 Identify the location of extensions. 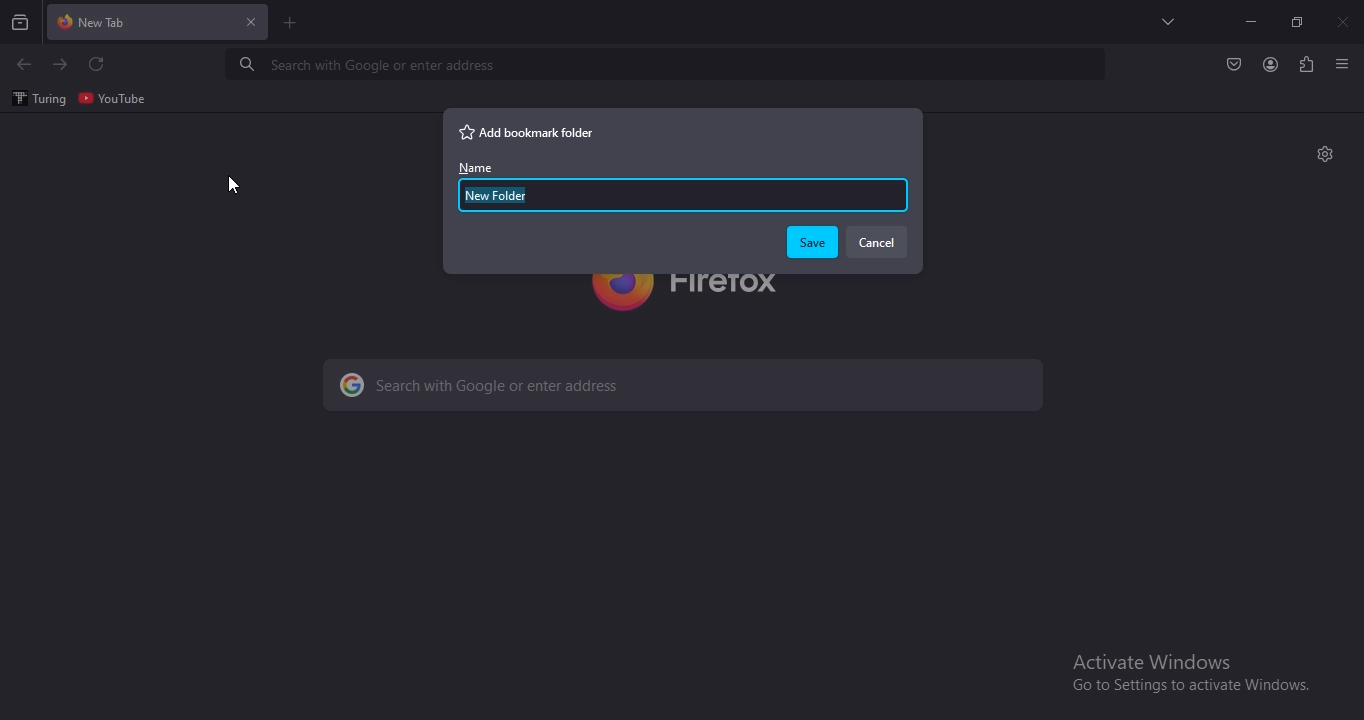
(1306, 65).